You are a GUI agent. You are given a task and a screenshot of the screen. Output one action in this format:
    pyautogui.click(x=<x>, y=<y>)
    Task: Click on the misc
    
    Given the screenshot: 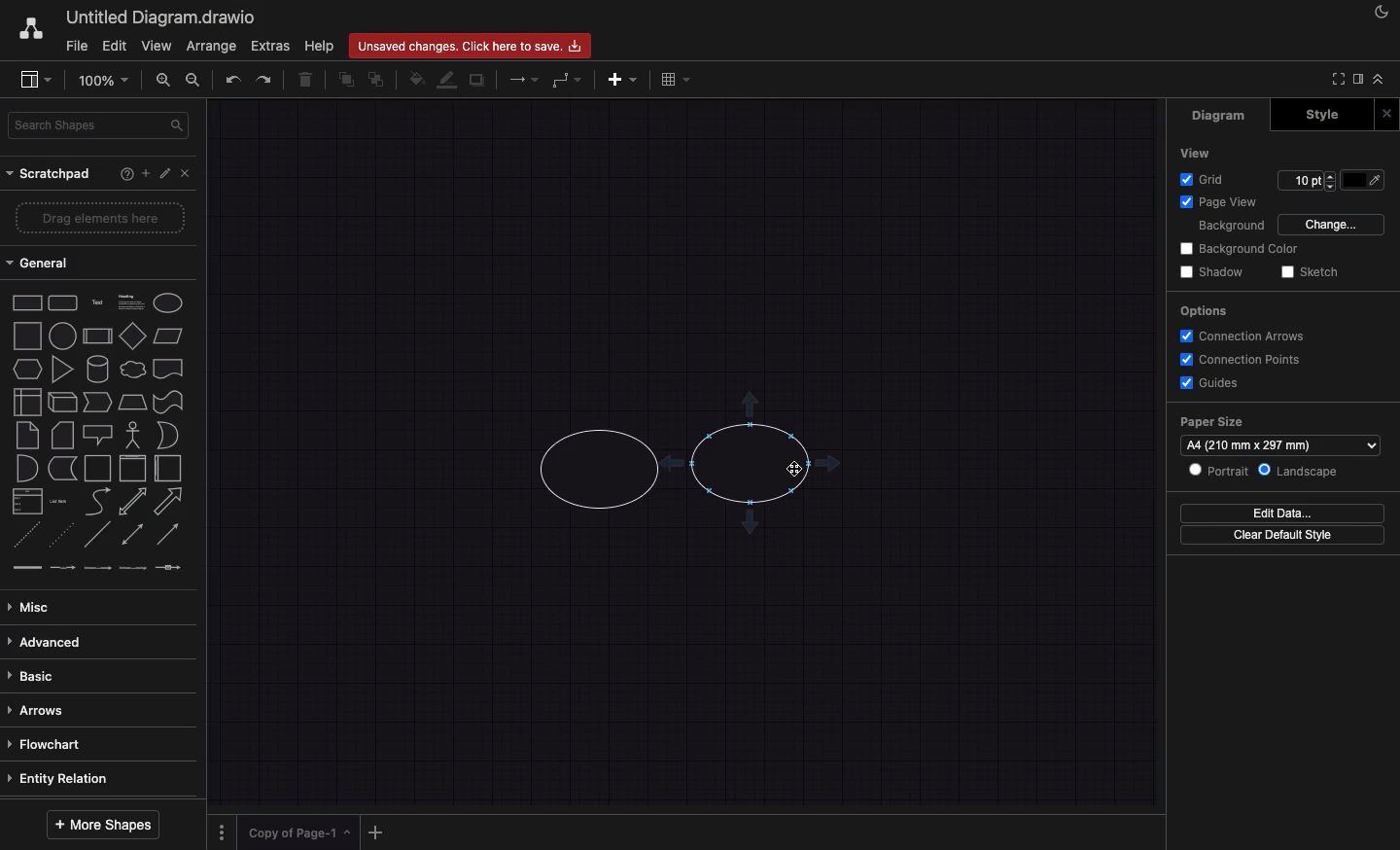 What is the action you would take?
    pyautogui.click(x=95, y=609)
    